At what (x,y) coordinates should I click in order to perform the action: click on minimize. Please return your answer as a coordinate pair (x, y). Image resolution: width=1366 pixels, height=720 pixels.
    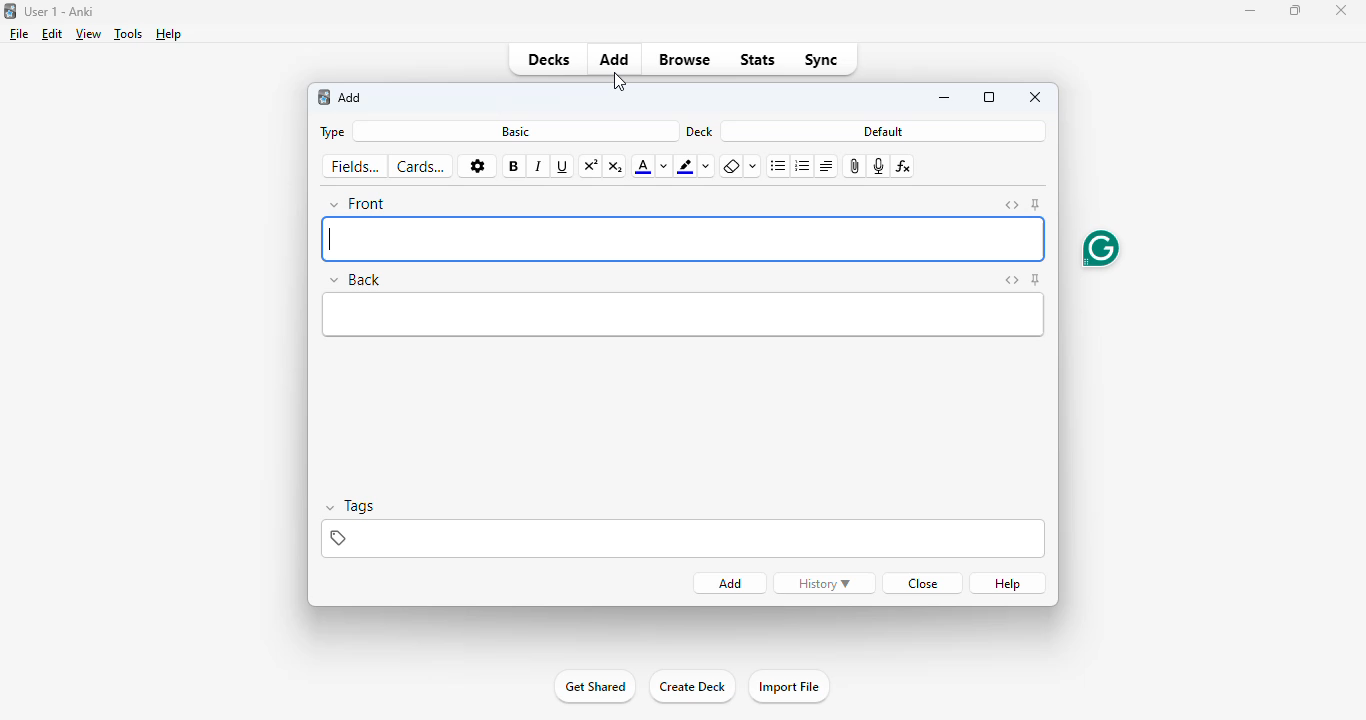
    Looking at the image, I should click on (1249, 11).